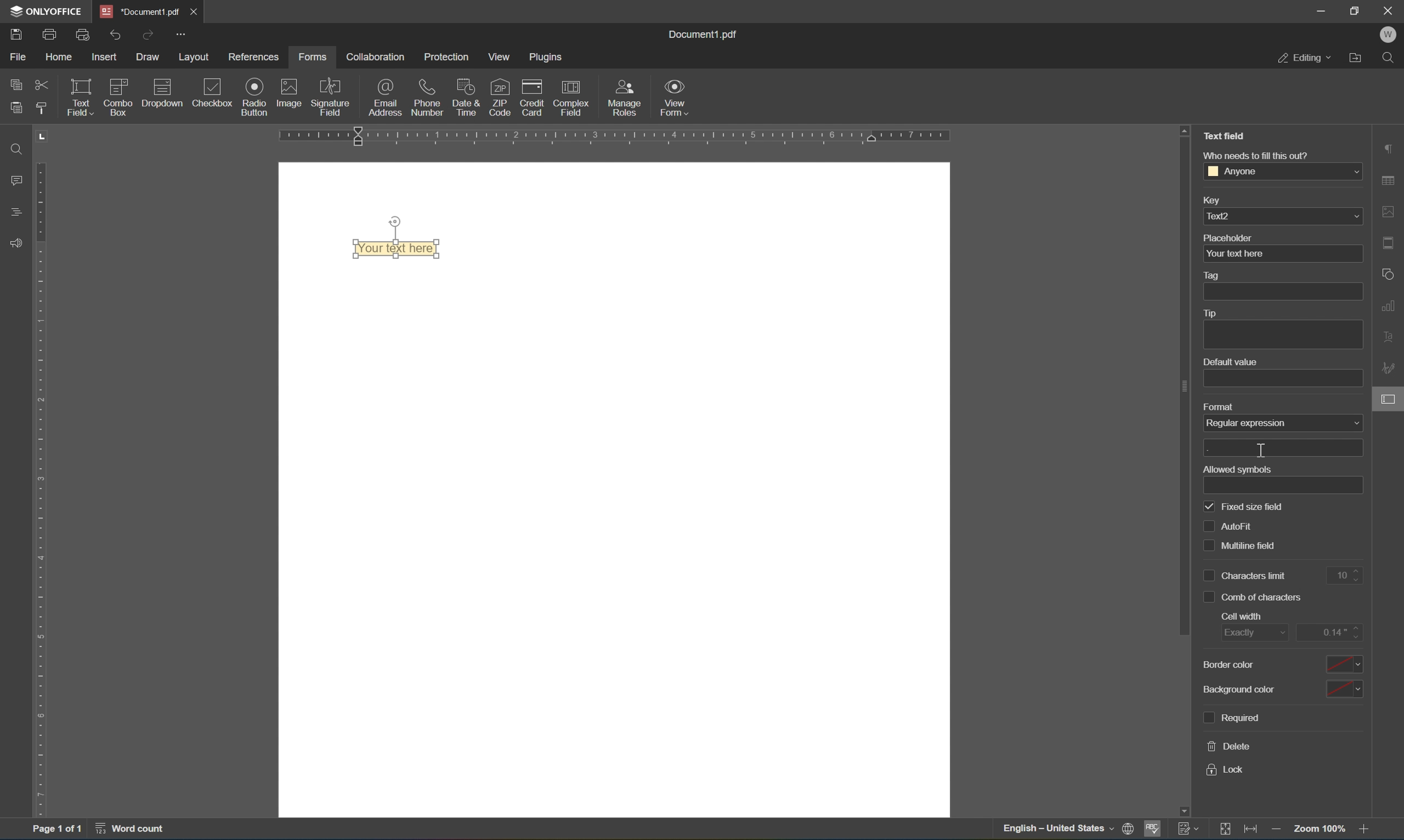  What do you see at coordinates (1390, 34) in the screenshot?
I see `W` at bounding box center [1390, 34].